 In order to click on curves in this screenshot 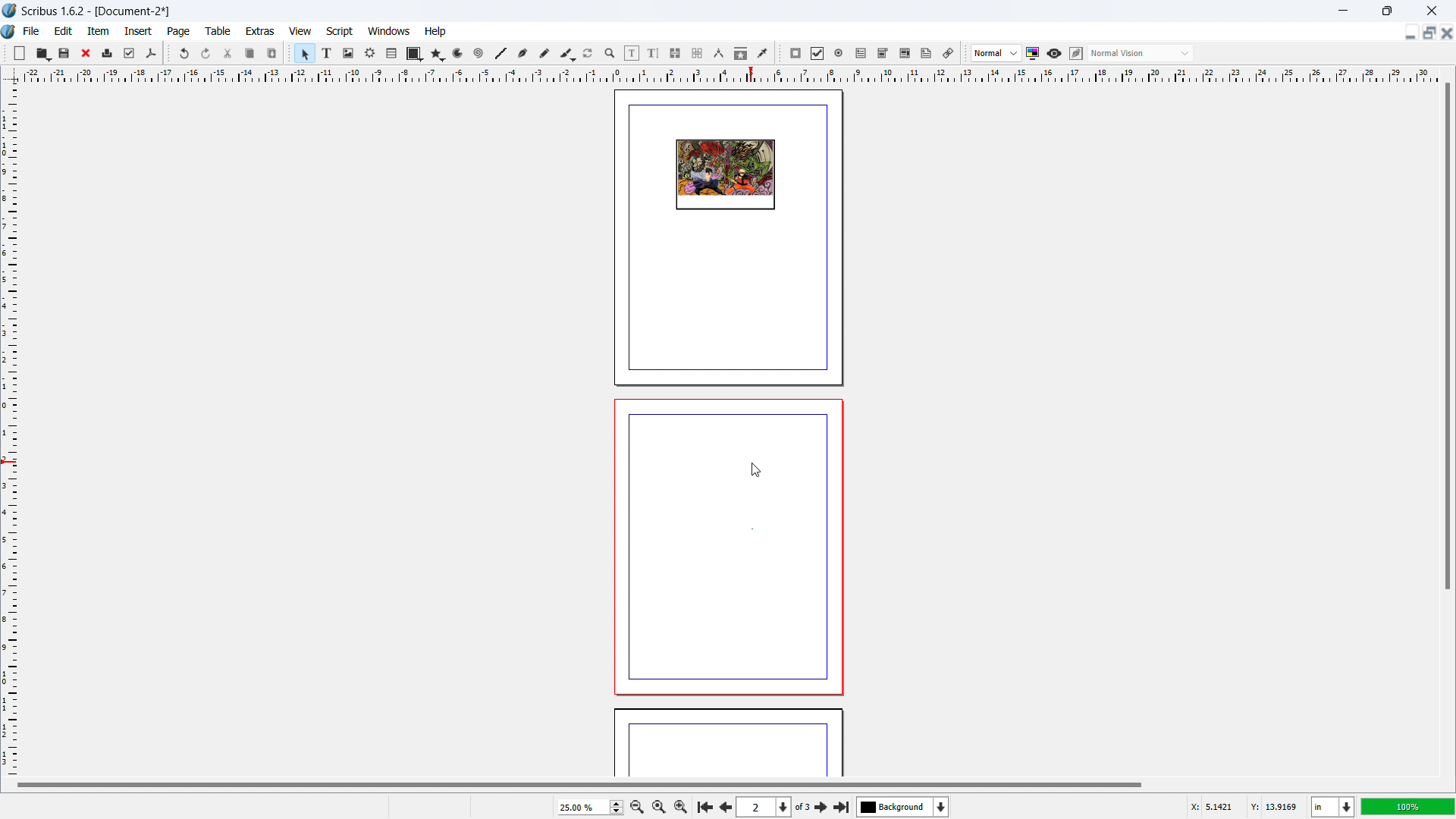, I will do `click(460, 54)`.